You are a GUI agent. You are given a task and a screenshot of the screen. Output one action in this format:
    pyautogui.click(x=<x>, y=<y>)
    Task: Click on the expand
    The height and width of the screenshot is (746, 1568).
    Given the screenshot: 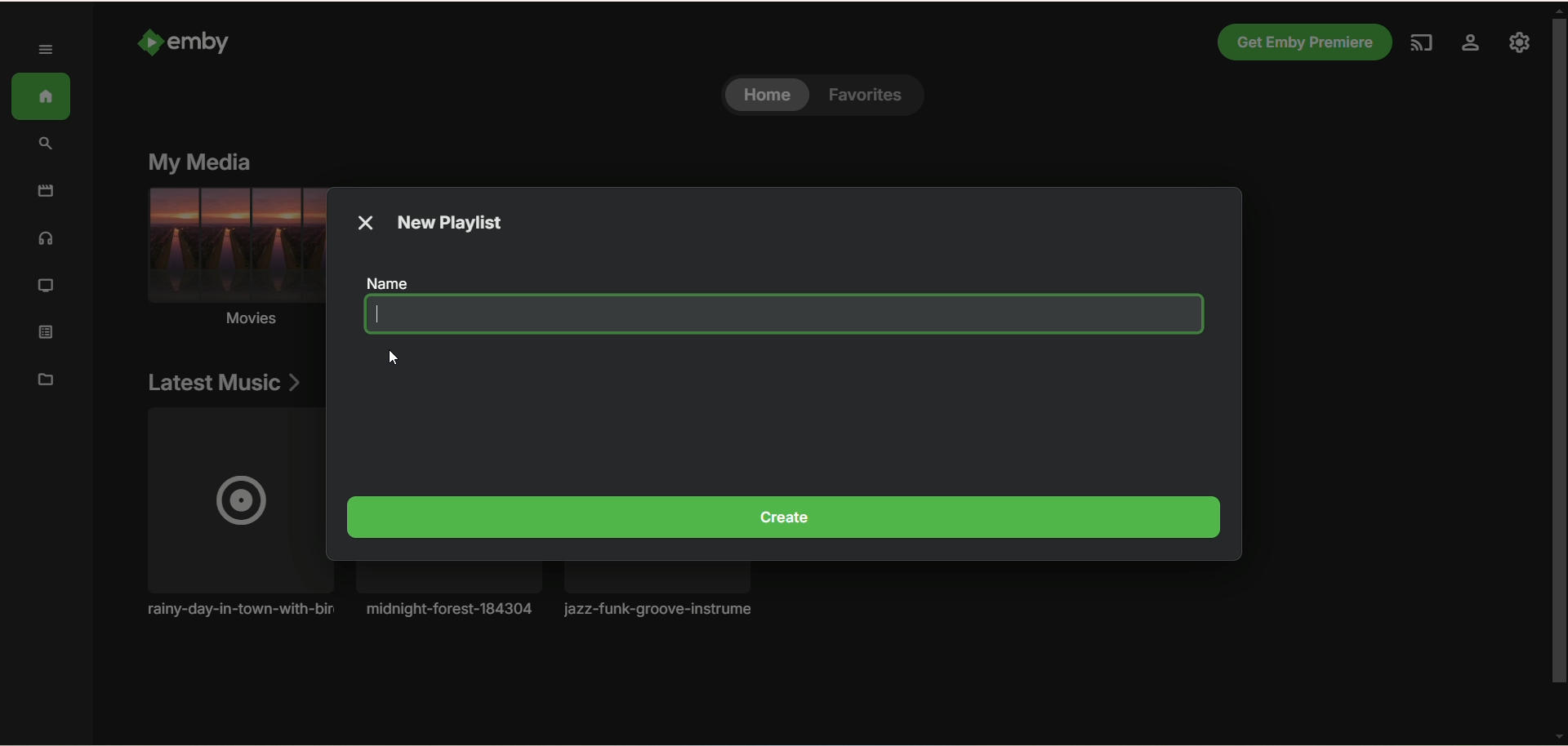 What is the action you would take?
    pyautogui.click(x=47, y=50)
    